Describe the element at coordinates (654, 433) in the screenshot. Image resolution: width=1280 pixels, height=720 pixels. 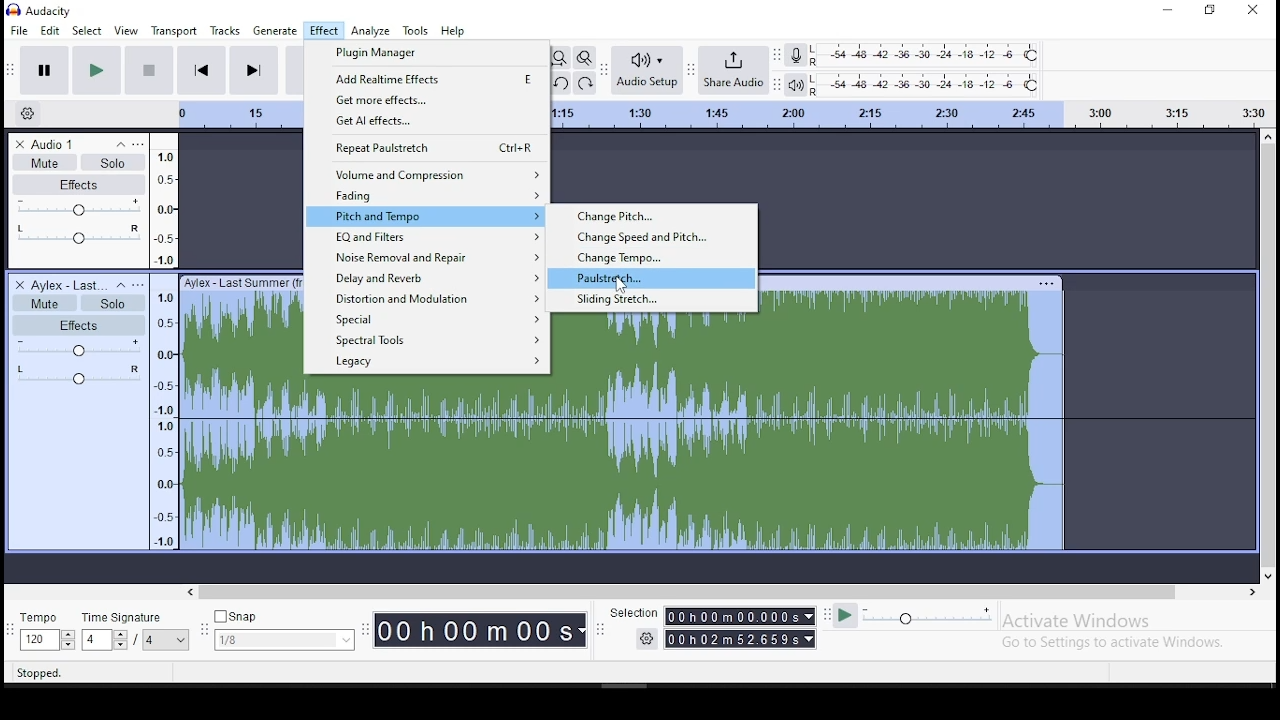
I see `audio track` at that location.